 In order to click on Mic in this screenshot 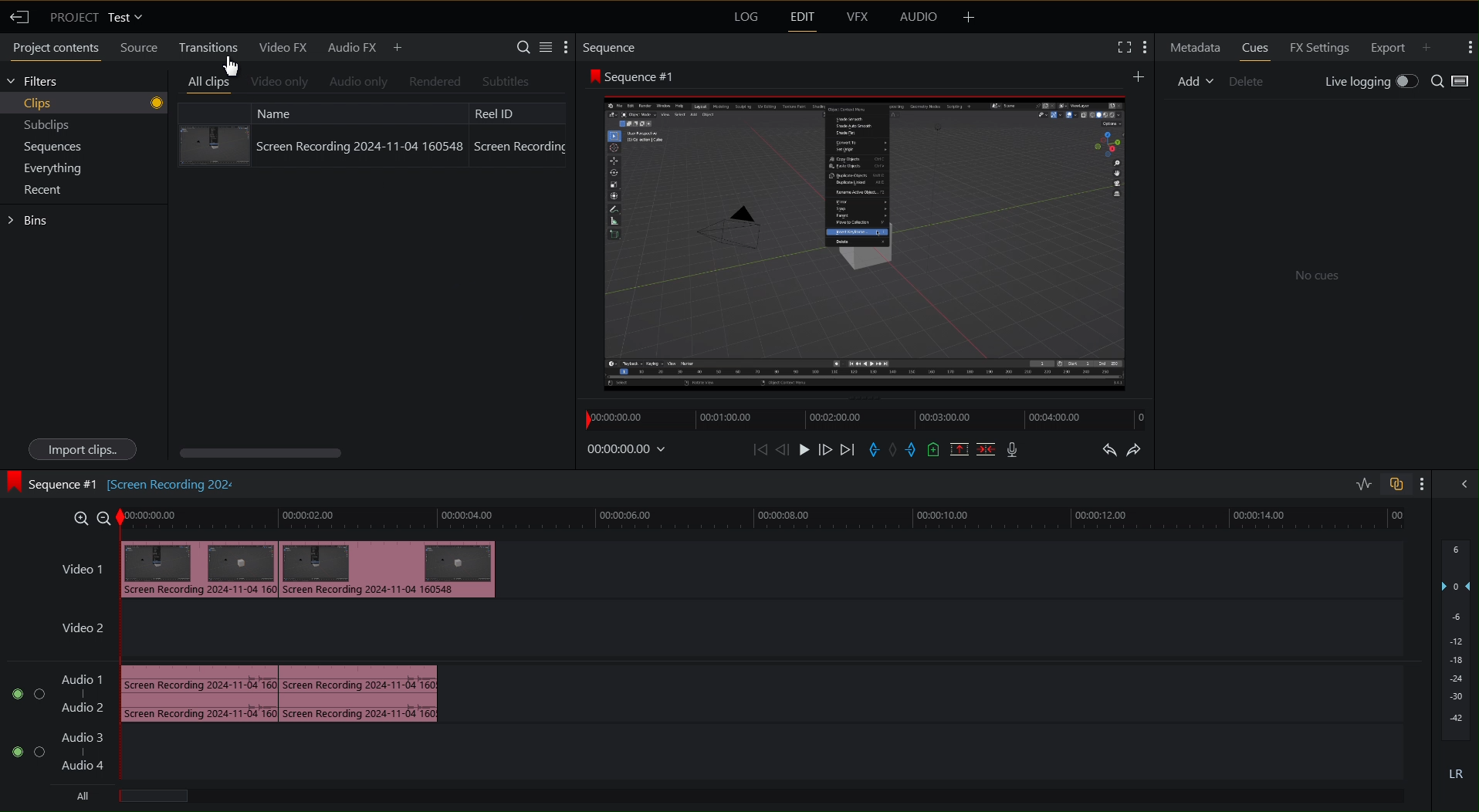, I will do `click(1012, 449)`.